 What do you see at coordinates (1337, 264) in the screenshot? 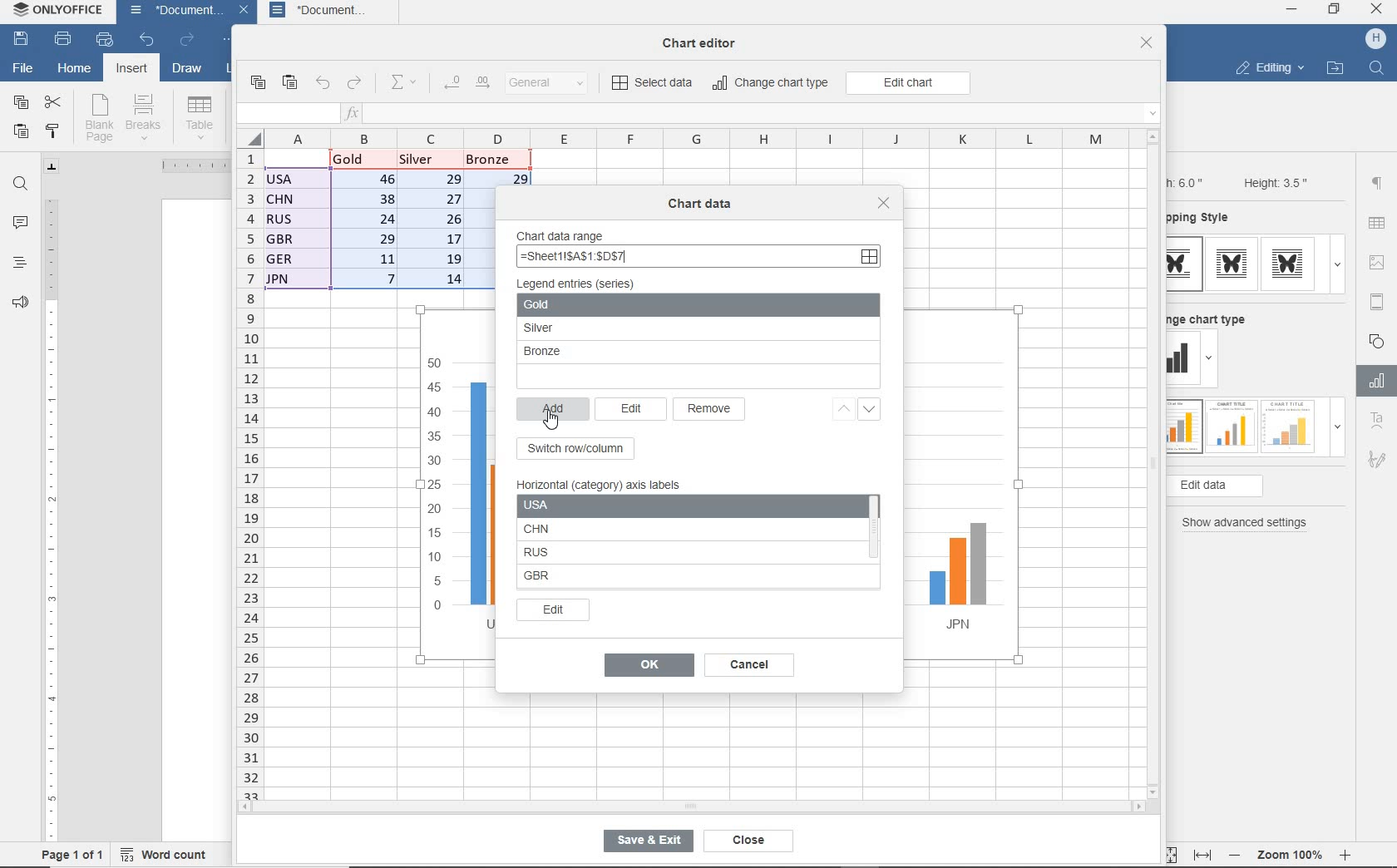
I see `dropdown` at bounding box center [1337, 264].